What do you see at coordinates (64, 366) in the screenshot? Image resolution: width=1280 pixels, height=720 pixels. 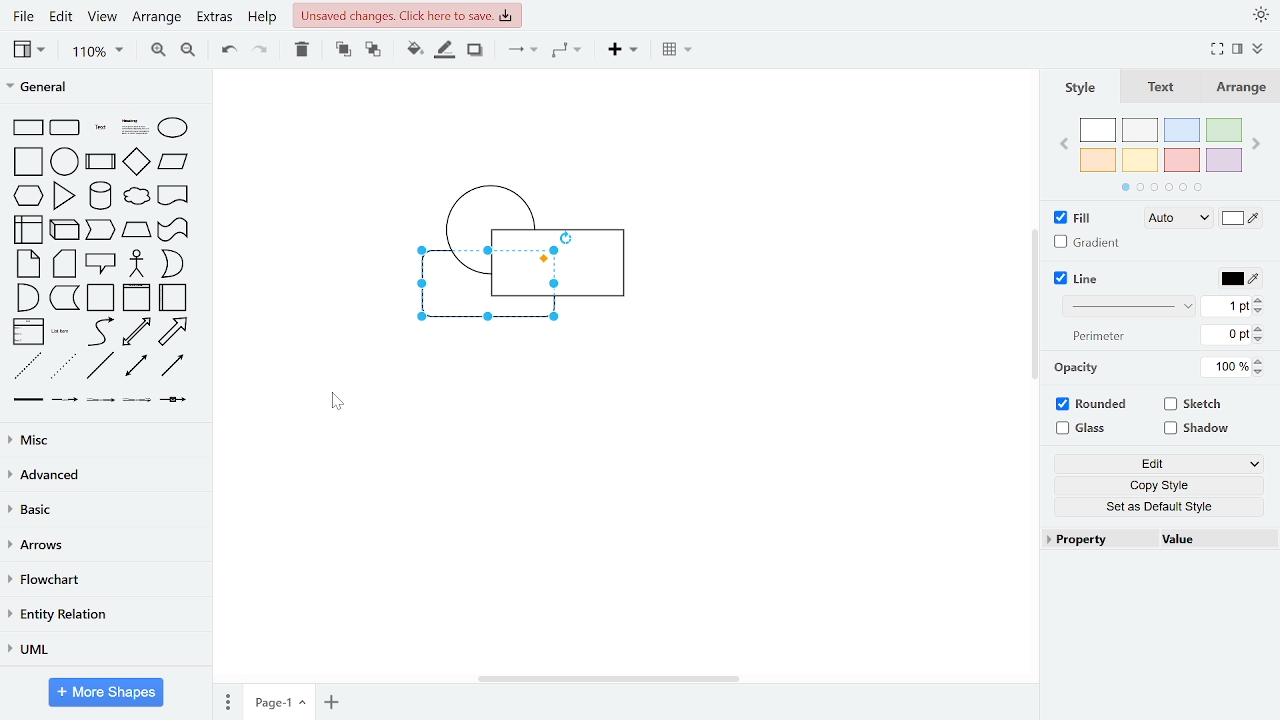 I see `dotted line` at bounding box center [64, 366].